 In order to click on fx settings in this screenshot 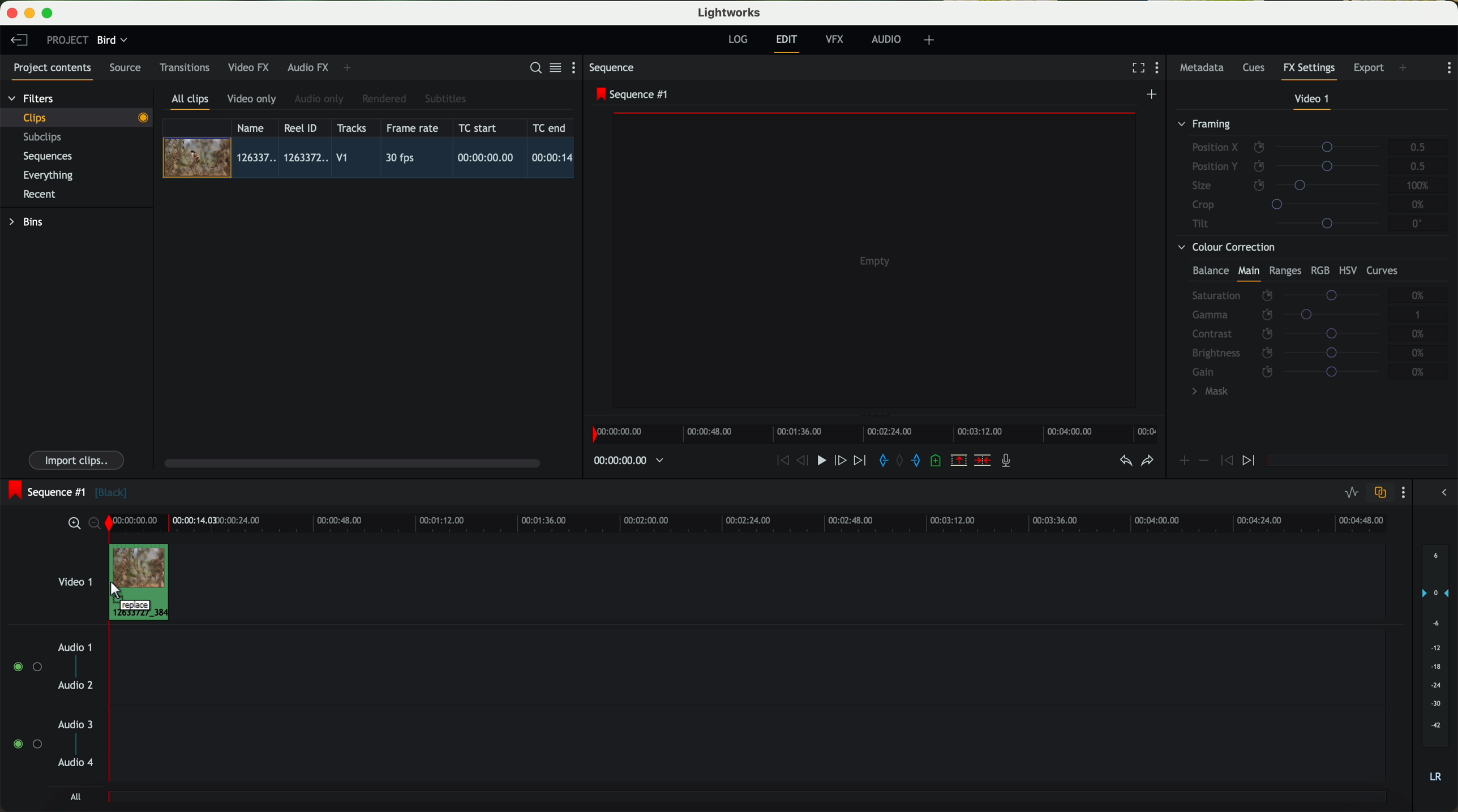, I will do `click(1309, 71)`.